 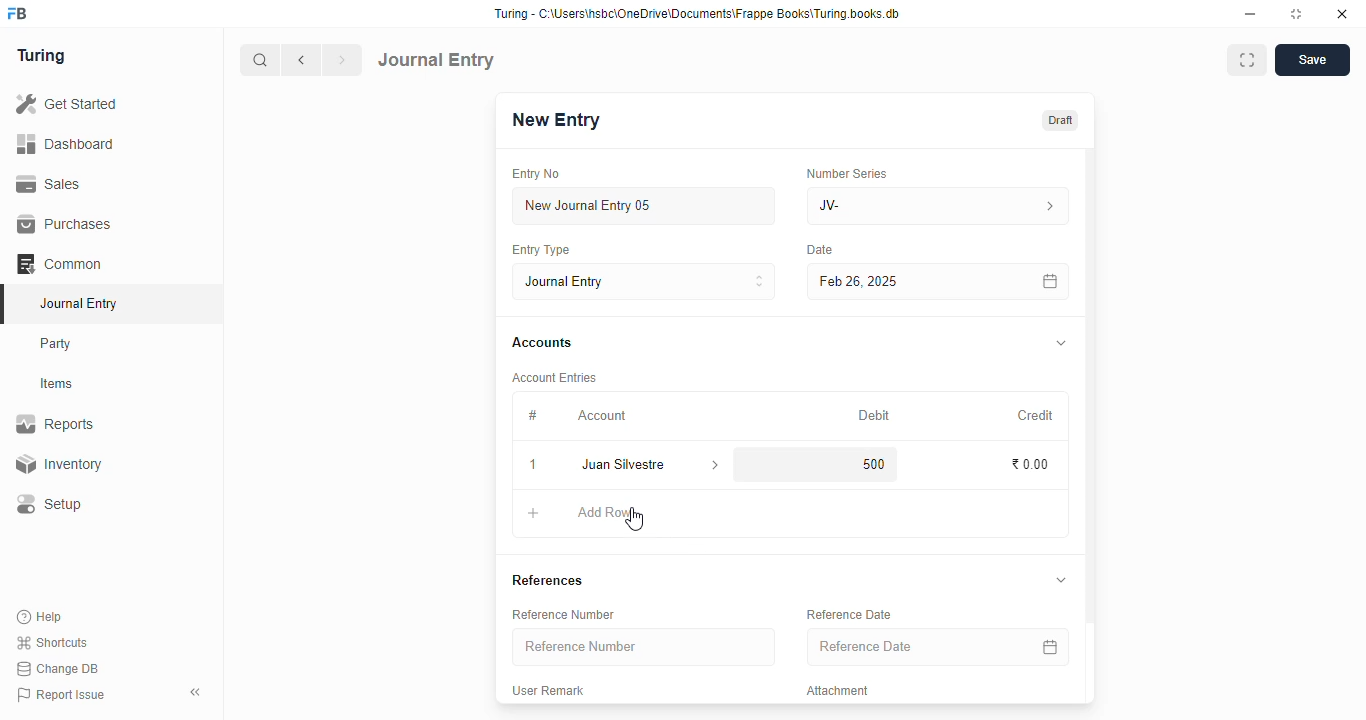 I want to click on 1, so click(x=535, y=466).